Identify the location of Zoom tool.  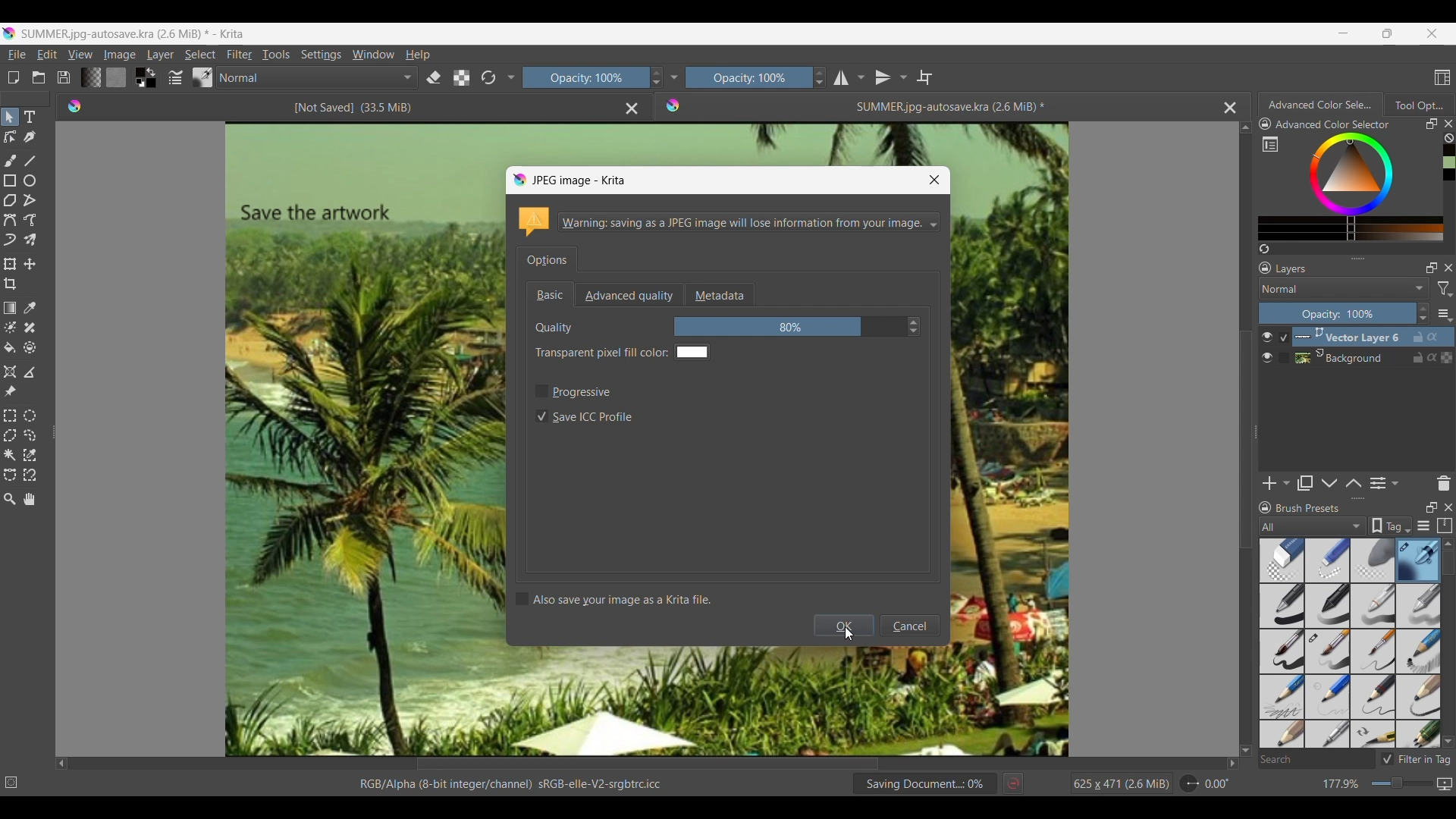
(9, 499).